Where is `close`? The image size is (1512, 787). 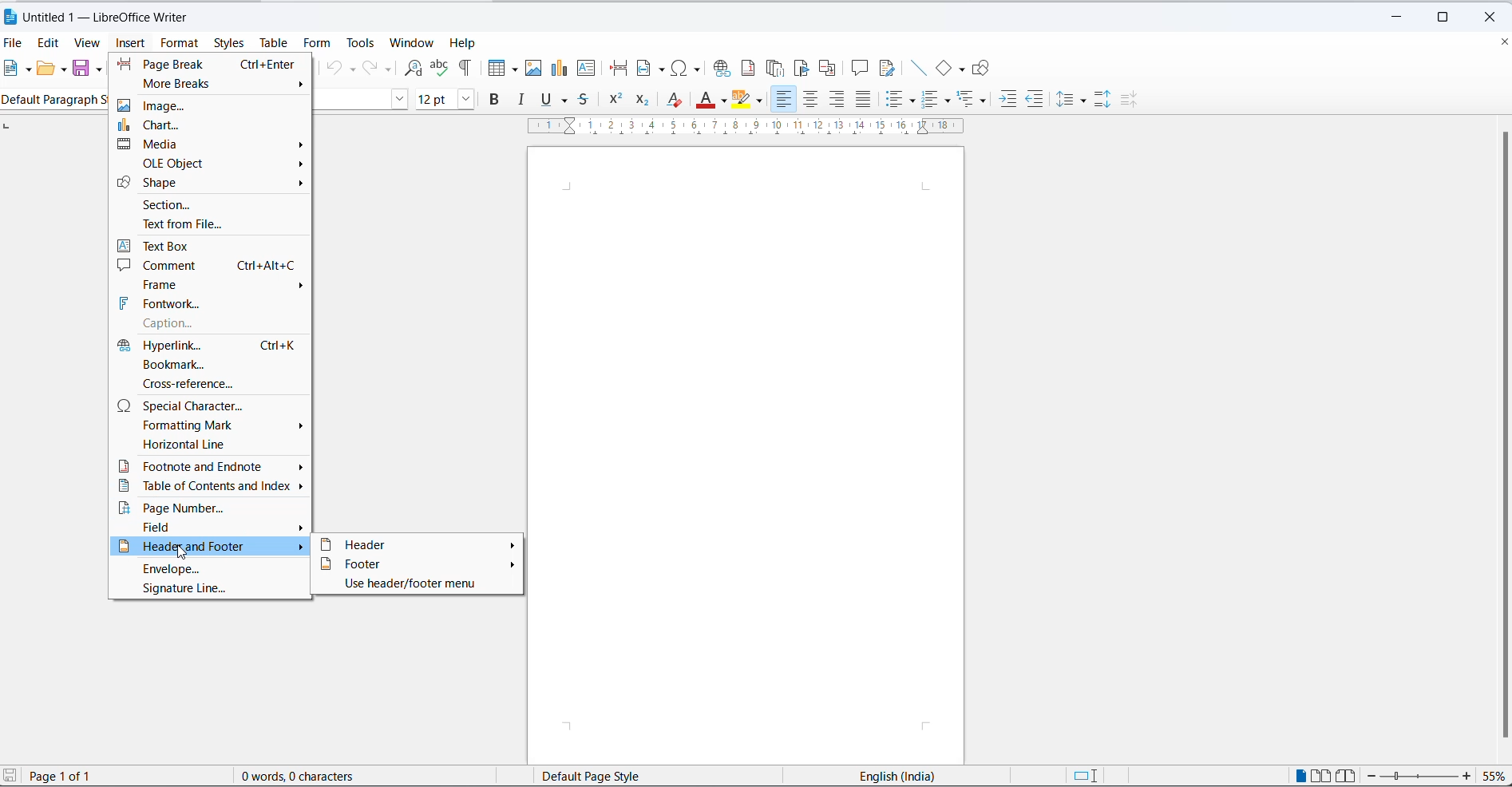 close is located at coordinates (1495, 15).